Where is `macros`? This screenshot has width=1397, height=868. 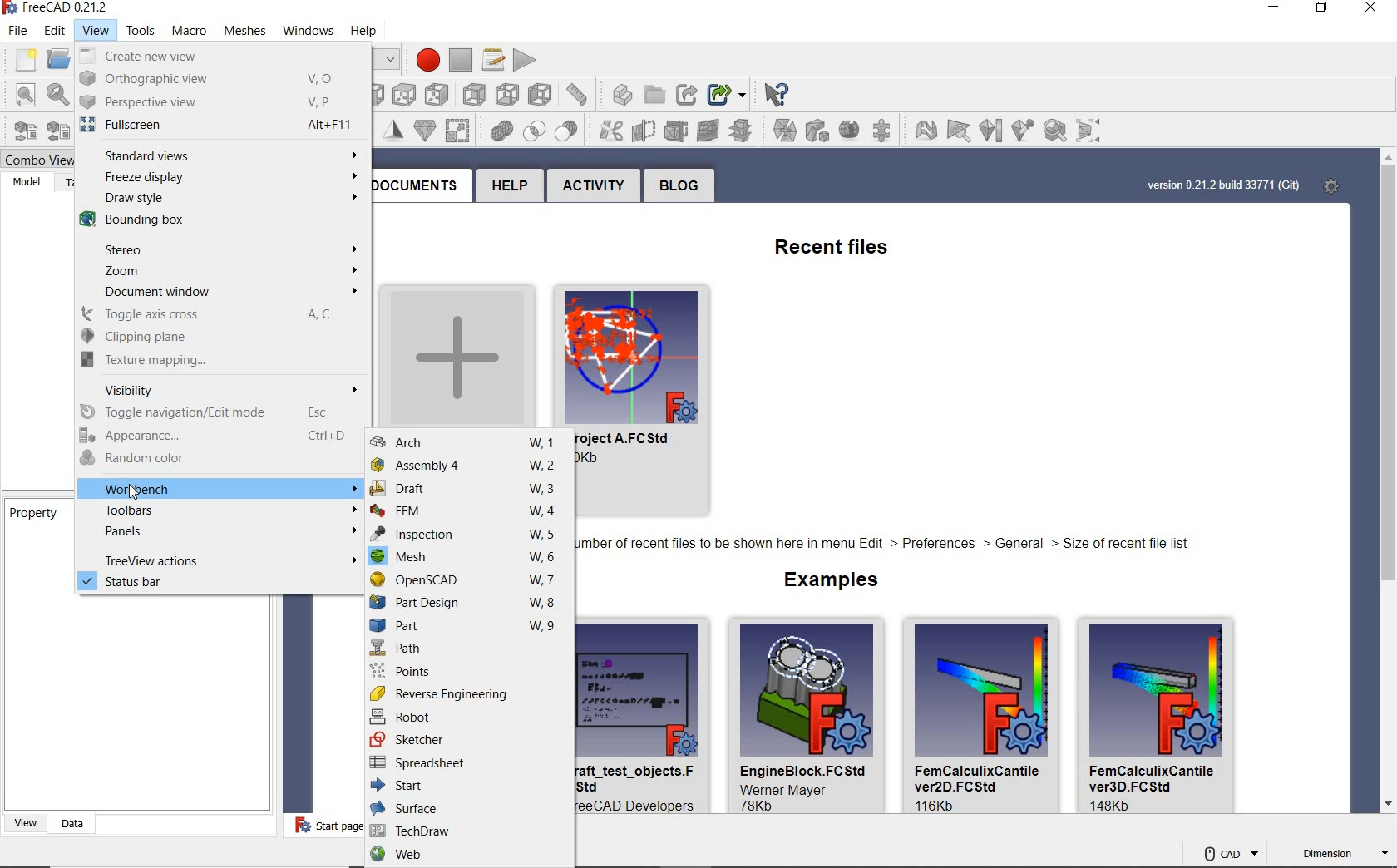 macros is located at coordinates (490, 57).